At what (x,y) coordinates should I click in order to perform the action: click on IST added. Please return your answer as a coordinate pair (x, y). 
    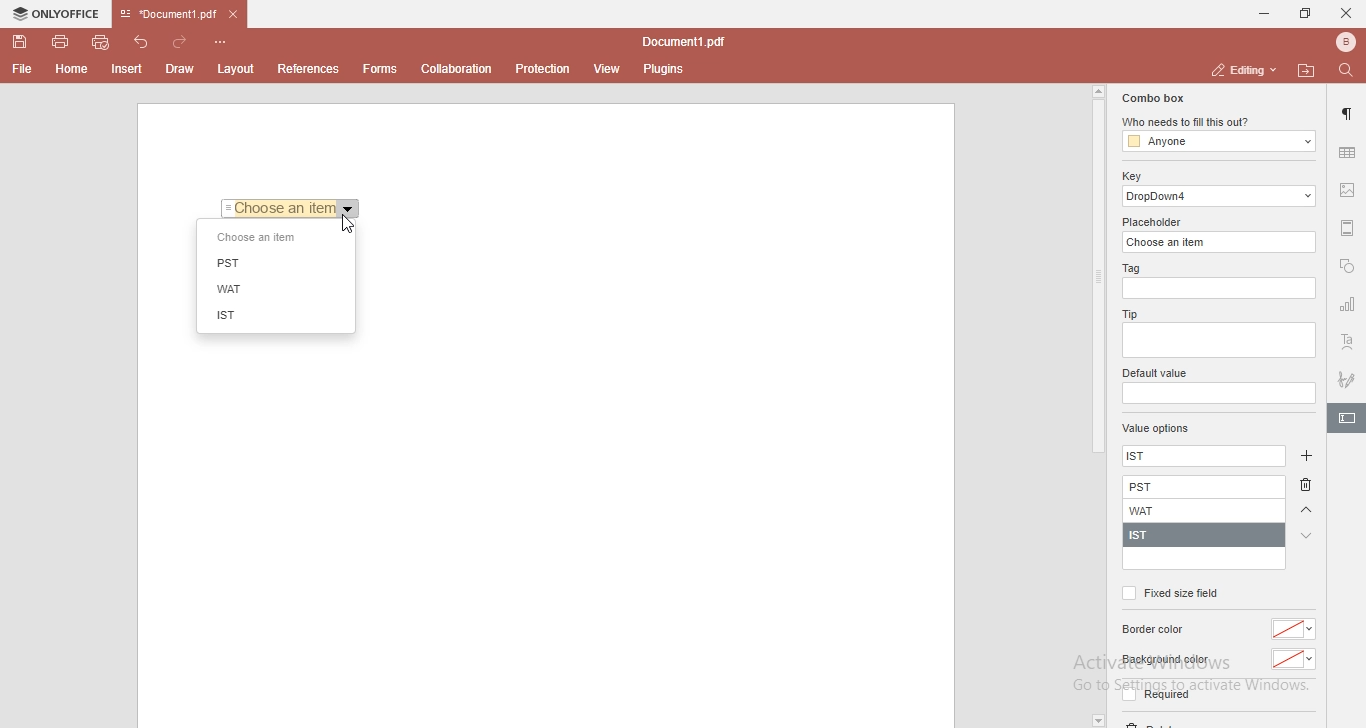
    Looking at the image, I should click on (1201, 536).